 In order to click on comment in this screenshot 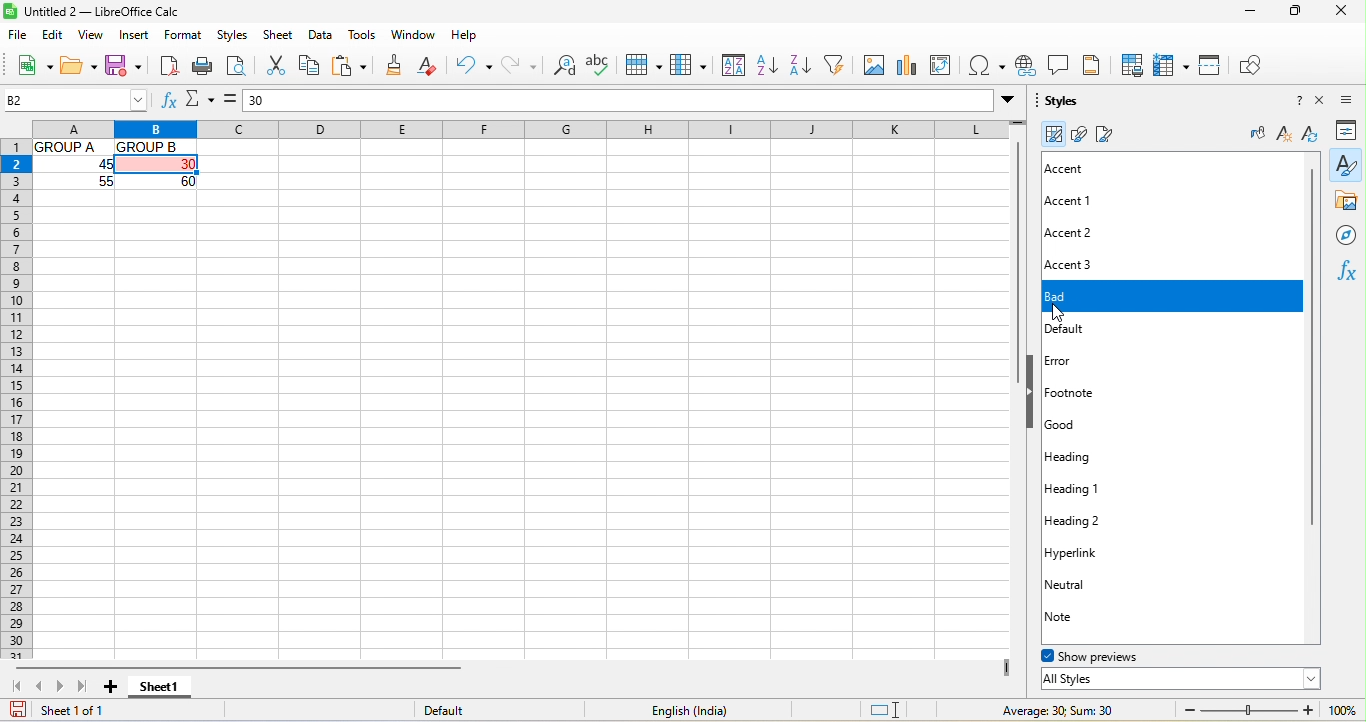, I will do `click(1063, 64)`.